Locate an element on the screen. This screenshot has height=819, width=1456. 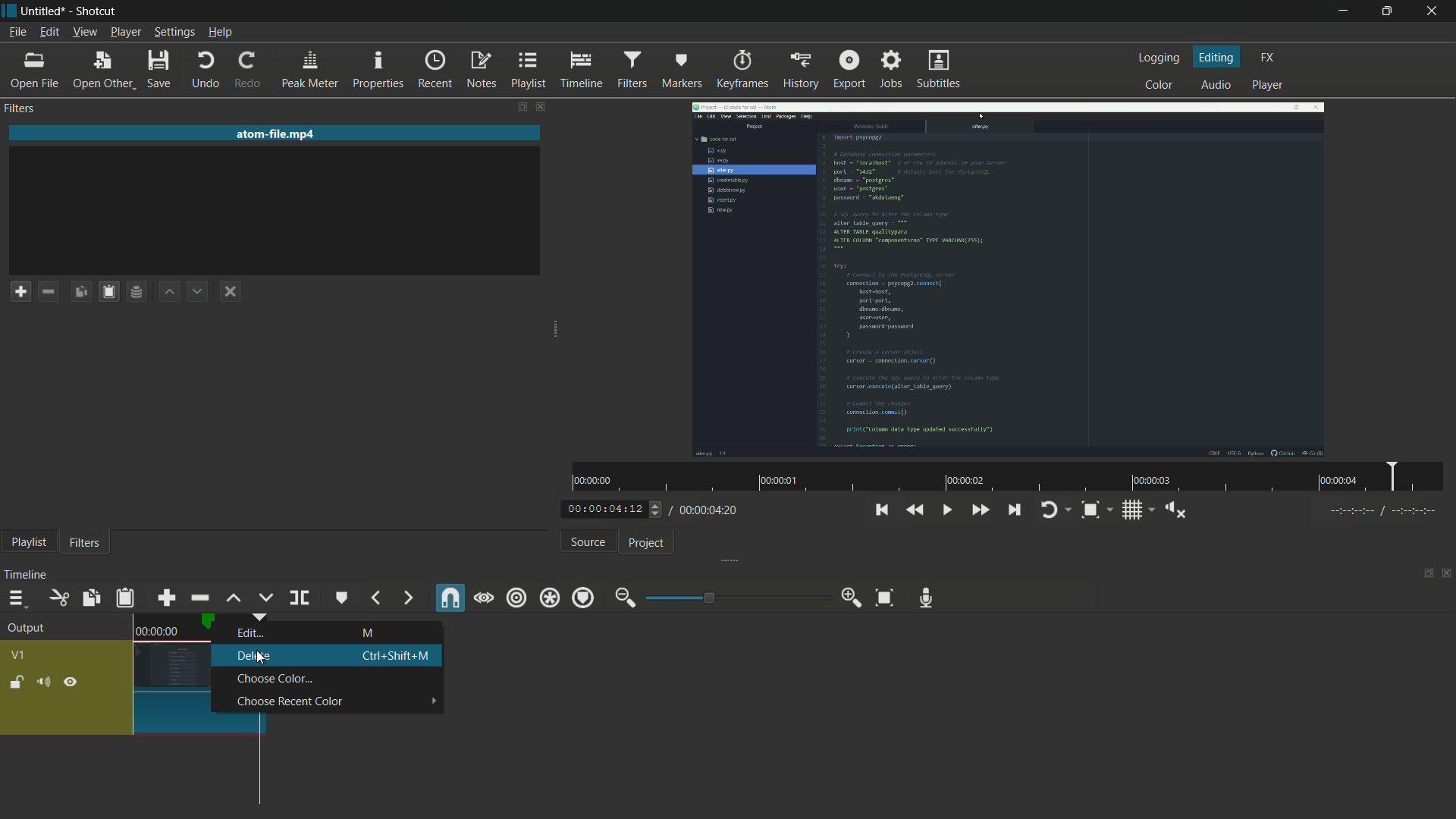
total time is located at coordinates (711, 510).